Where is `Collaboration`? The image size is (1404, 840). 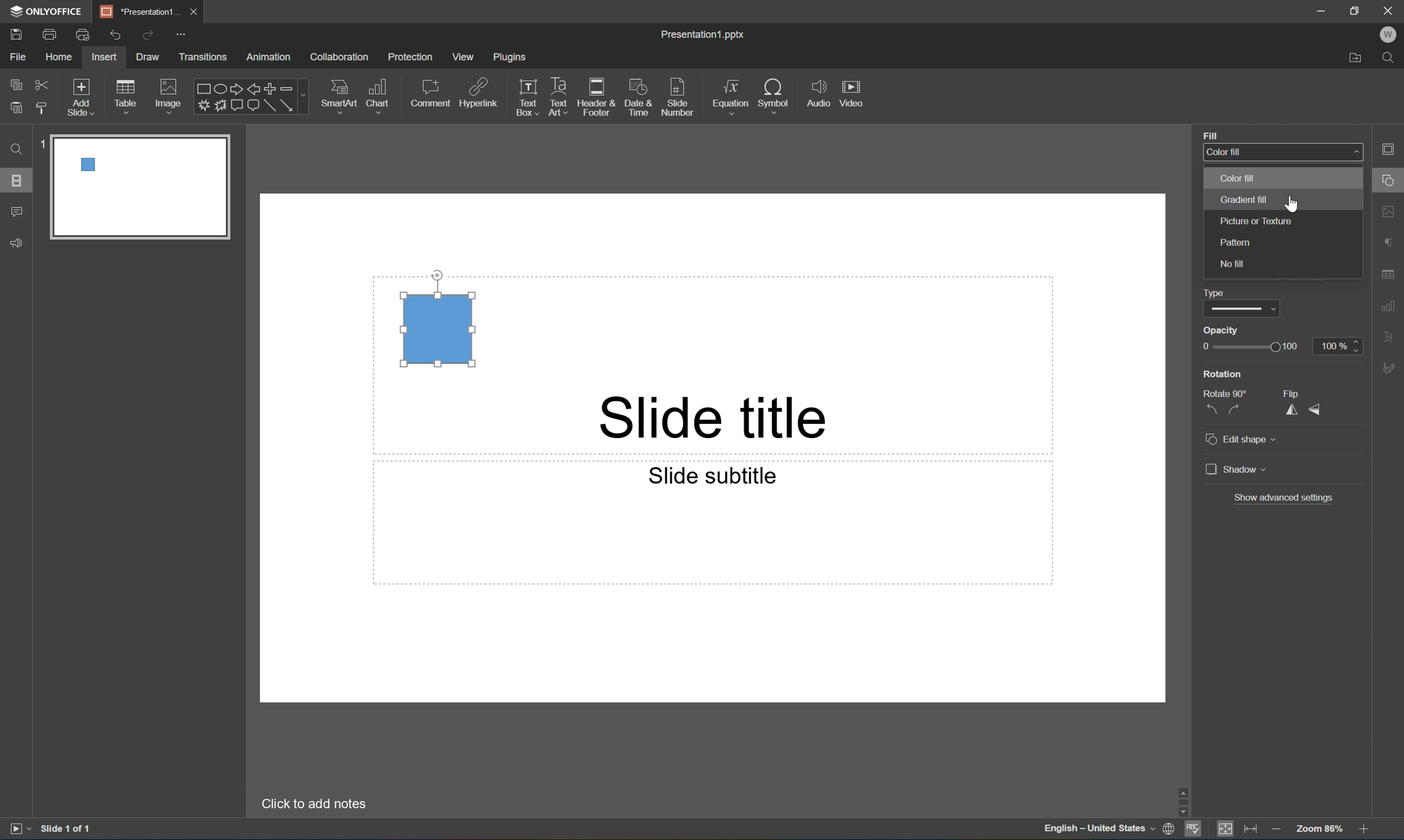 Collaboration is located at coordinates (341, 58).